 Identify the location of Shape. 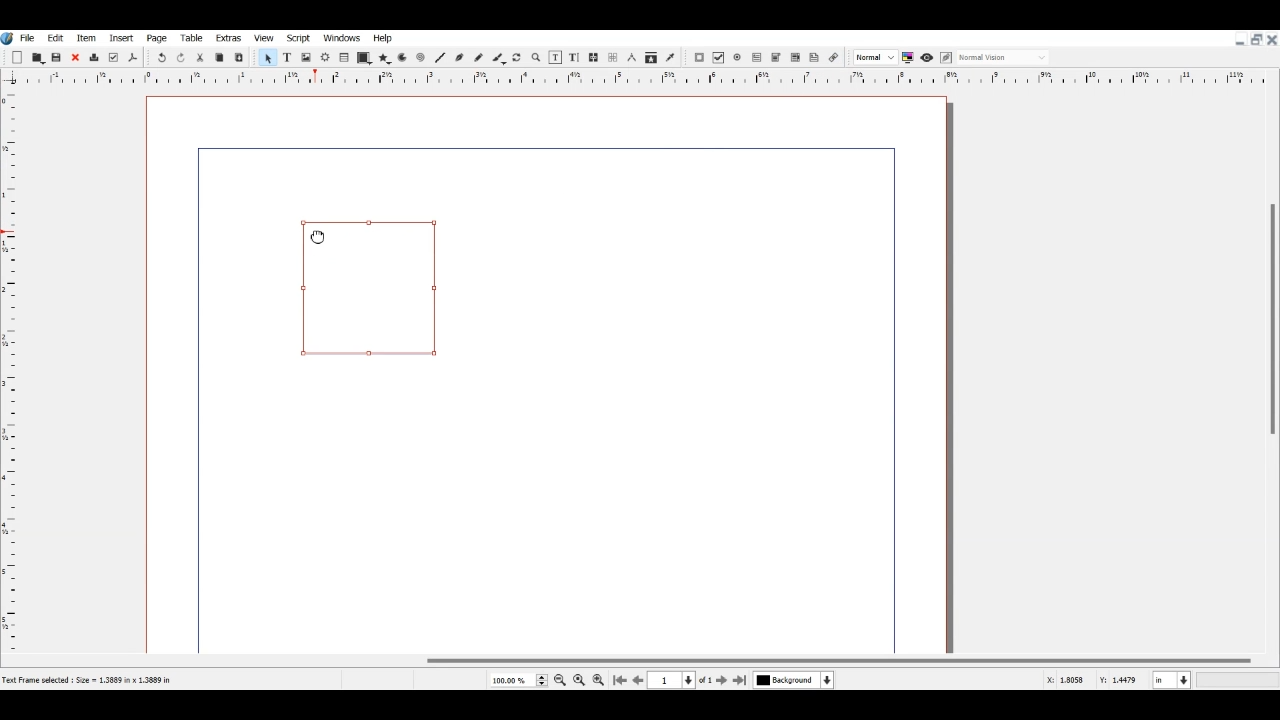
(364, 58).